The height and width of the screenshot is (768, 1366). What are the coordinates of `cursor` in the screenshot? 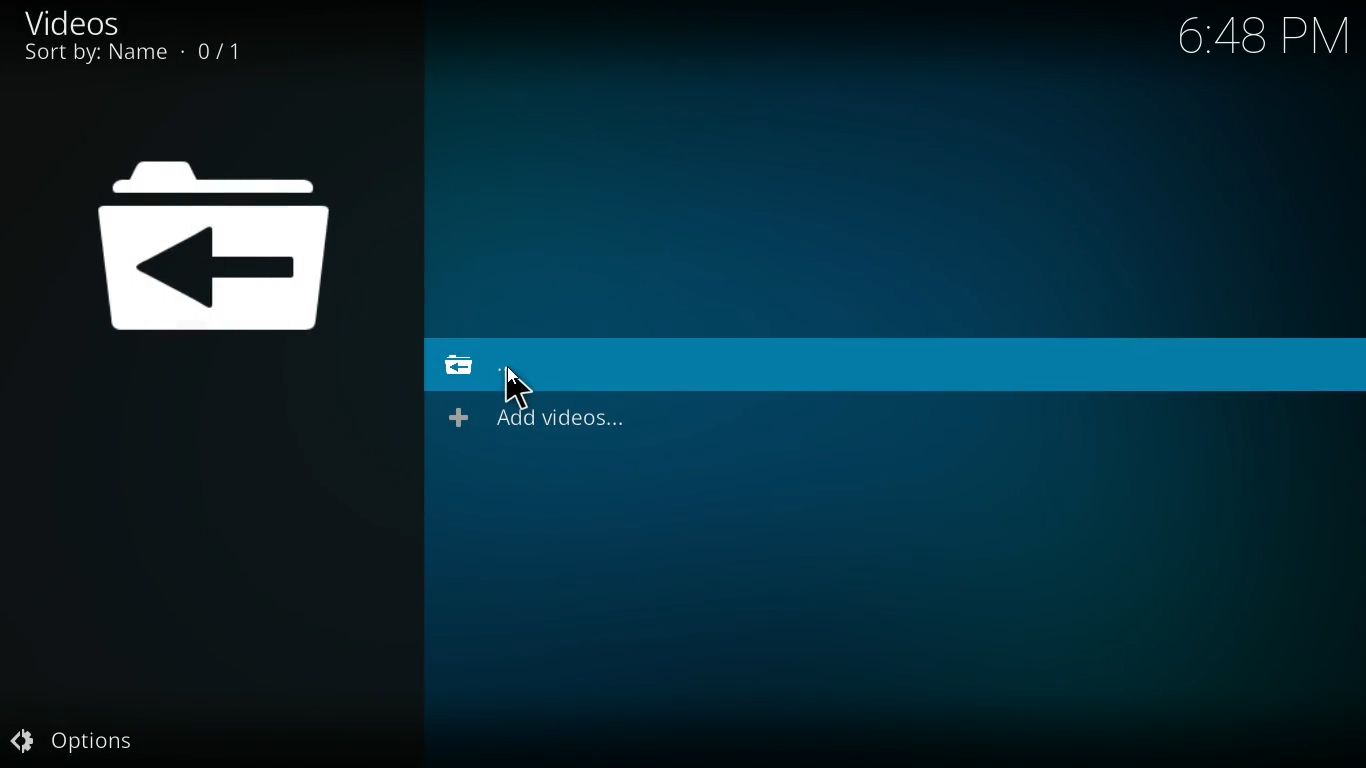 It's located at (519, 387).